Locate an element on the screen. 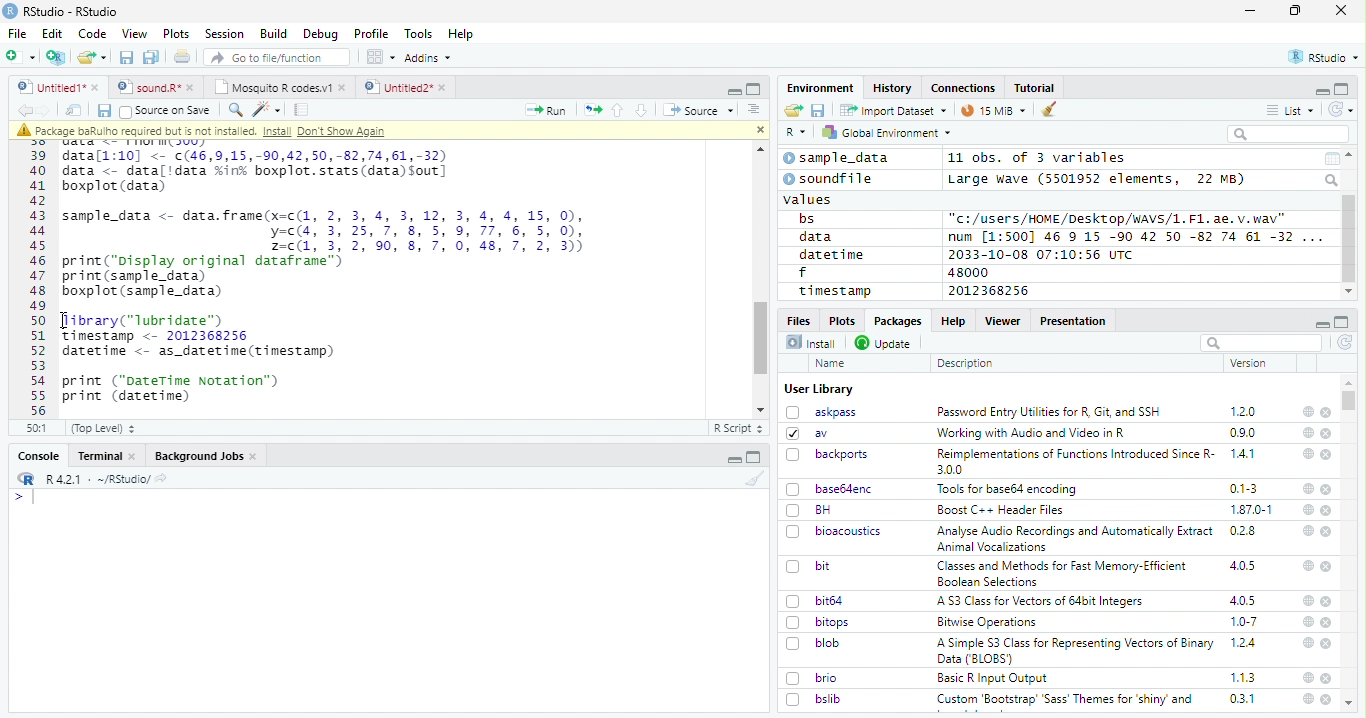  Load workspace is located at coordinates (794, 111).